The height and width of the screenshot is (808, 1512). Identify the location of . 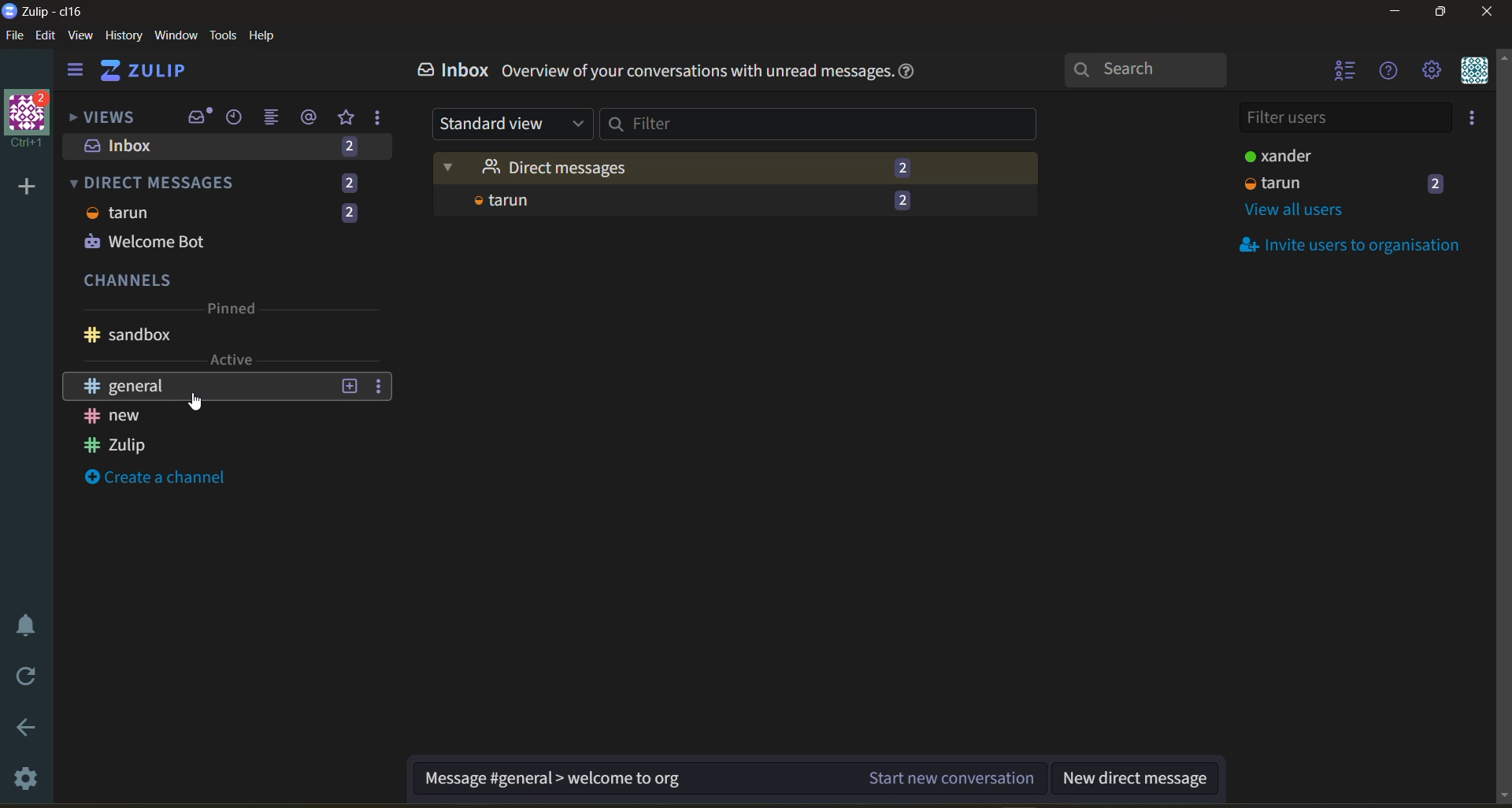
(191, 405).